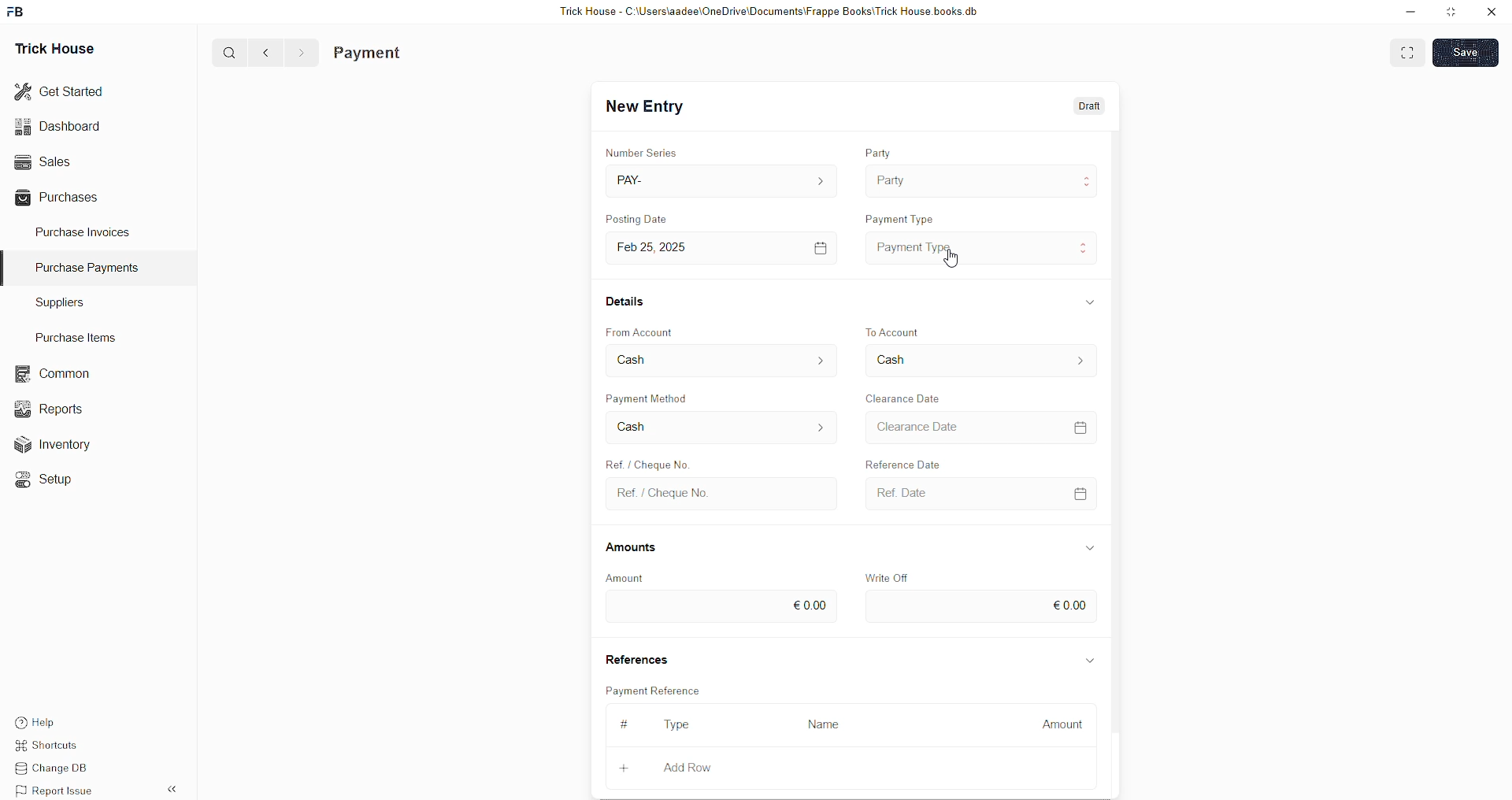  Describe the element at coordinates (1450, 13) in the screenshot. I see `minimise window` at that location.